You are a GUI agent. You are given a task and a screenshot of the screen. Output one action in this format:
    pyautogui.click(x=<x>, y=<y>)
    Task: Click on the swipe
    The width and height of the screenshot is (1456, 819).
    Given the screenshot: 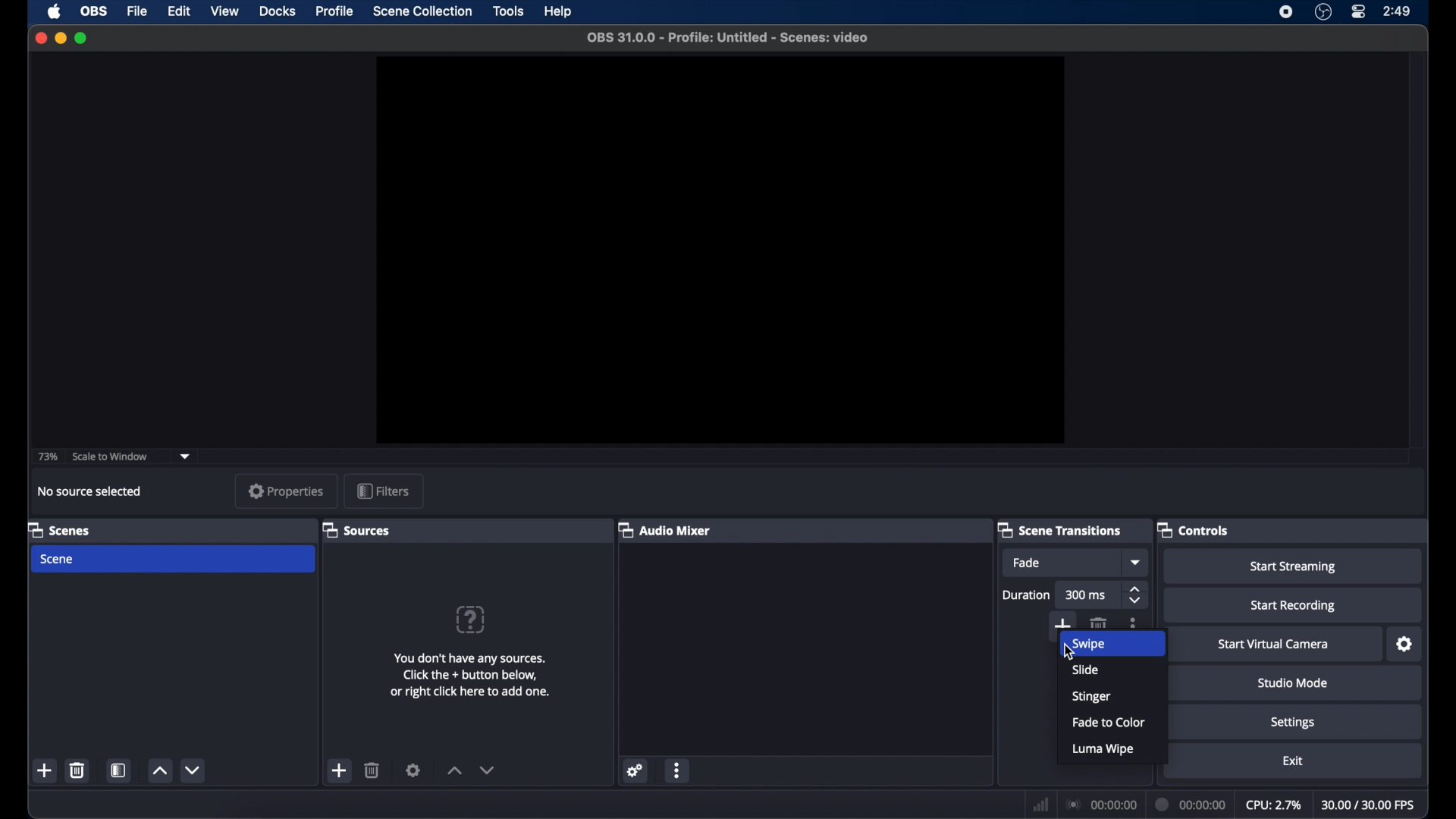 What is the action you would take?
    pyautogui.click(x=1096, y=643)
    